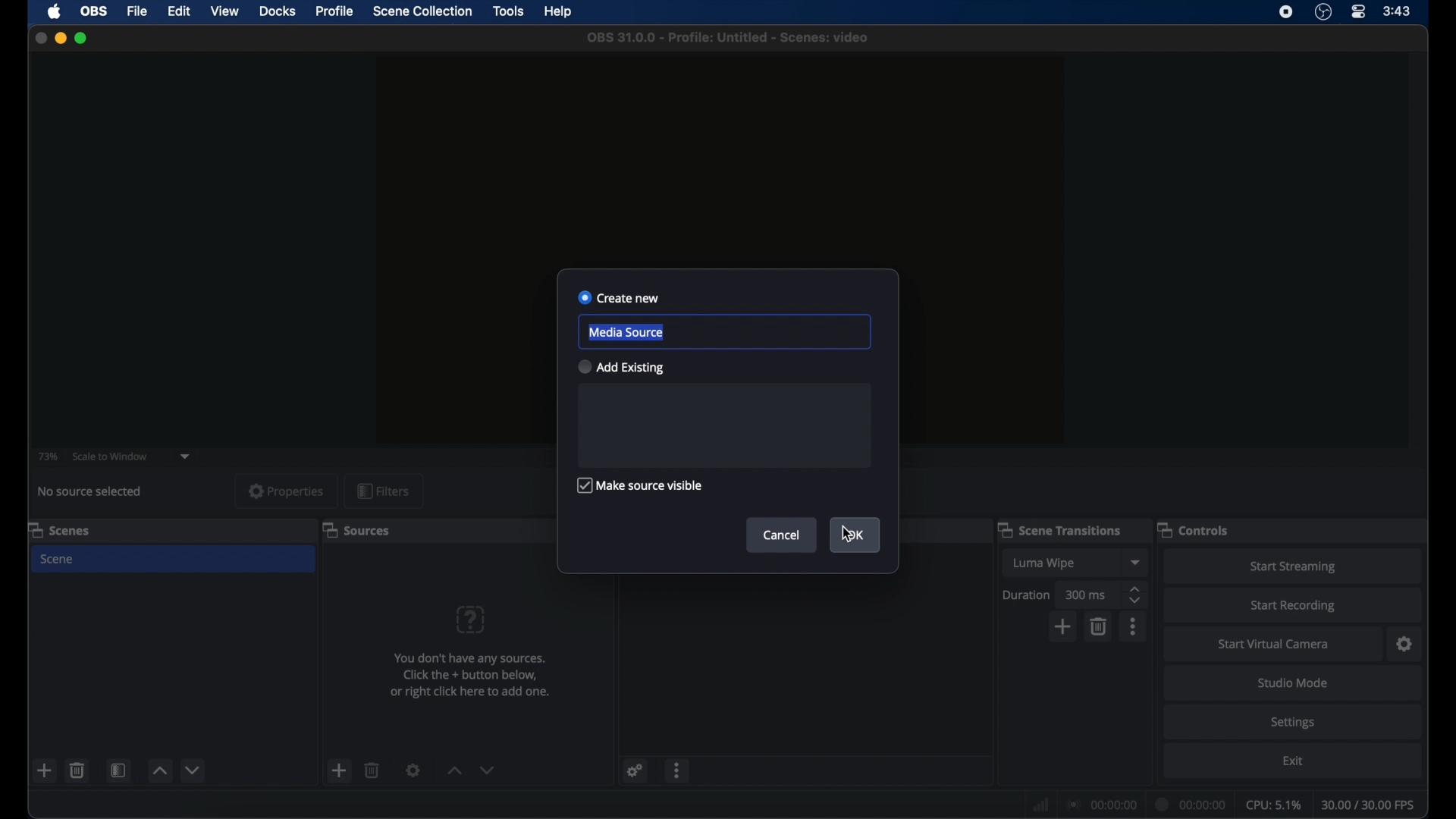 The width and height of the screenshot is (1456, 819). What do you see at coordinates (110, 457) in the screenshot?
I see `scale  to window` at bounding box center [110, 457].